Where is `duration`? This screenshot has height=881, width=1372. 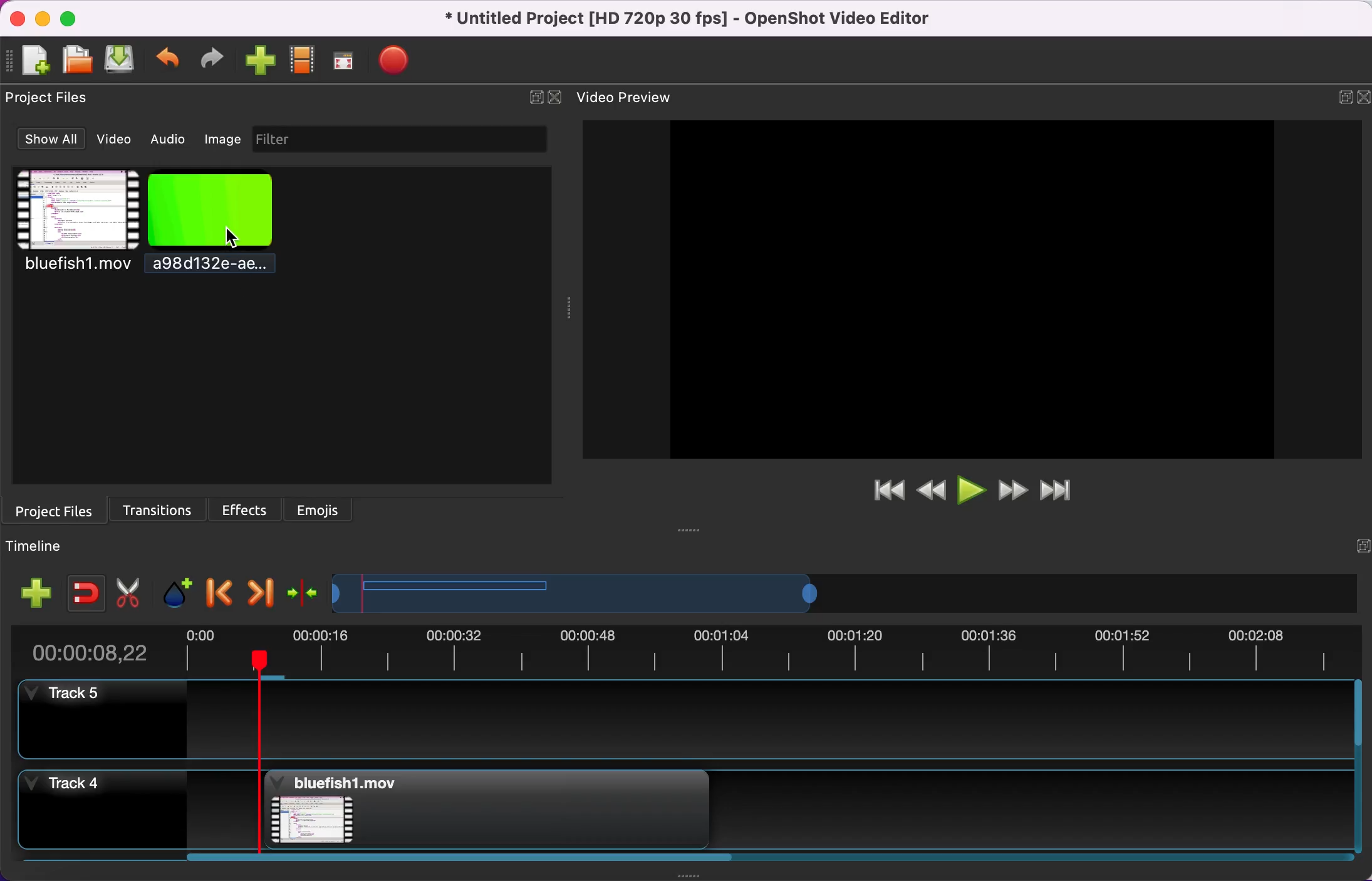 duration is located at coordinates (695, 649).